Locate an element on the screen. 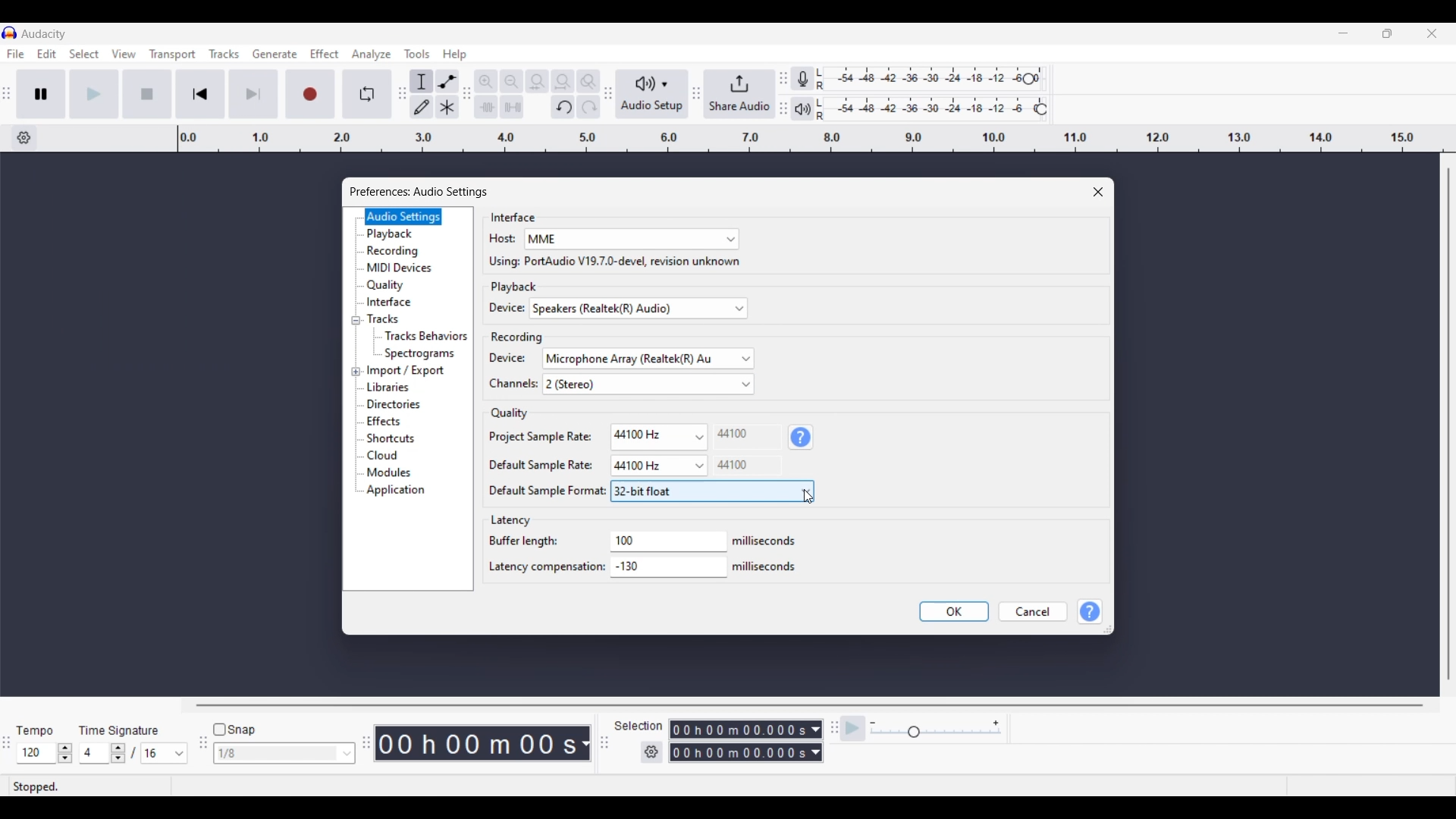 The width and height of the screenshot is (1456, 819). Buffer length: is located at coordinates (523, 542).